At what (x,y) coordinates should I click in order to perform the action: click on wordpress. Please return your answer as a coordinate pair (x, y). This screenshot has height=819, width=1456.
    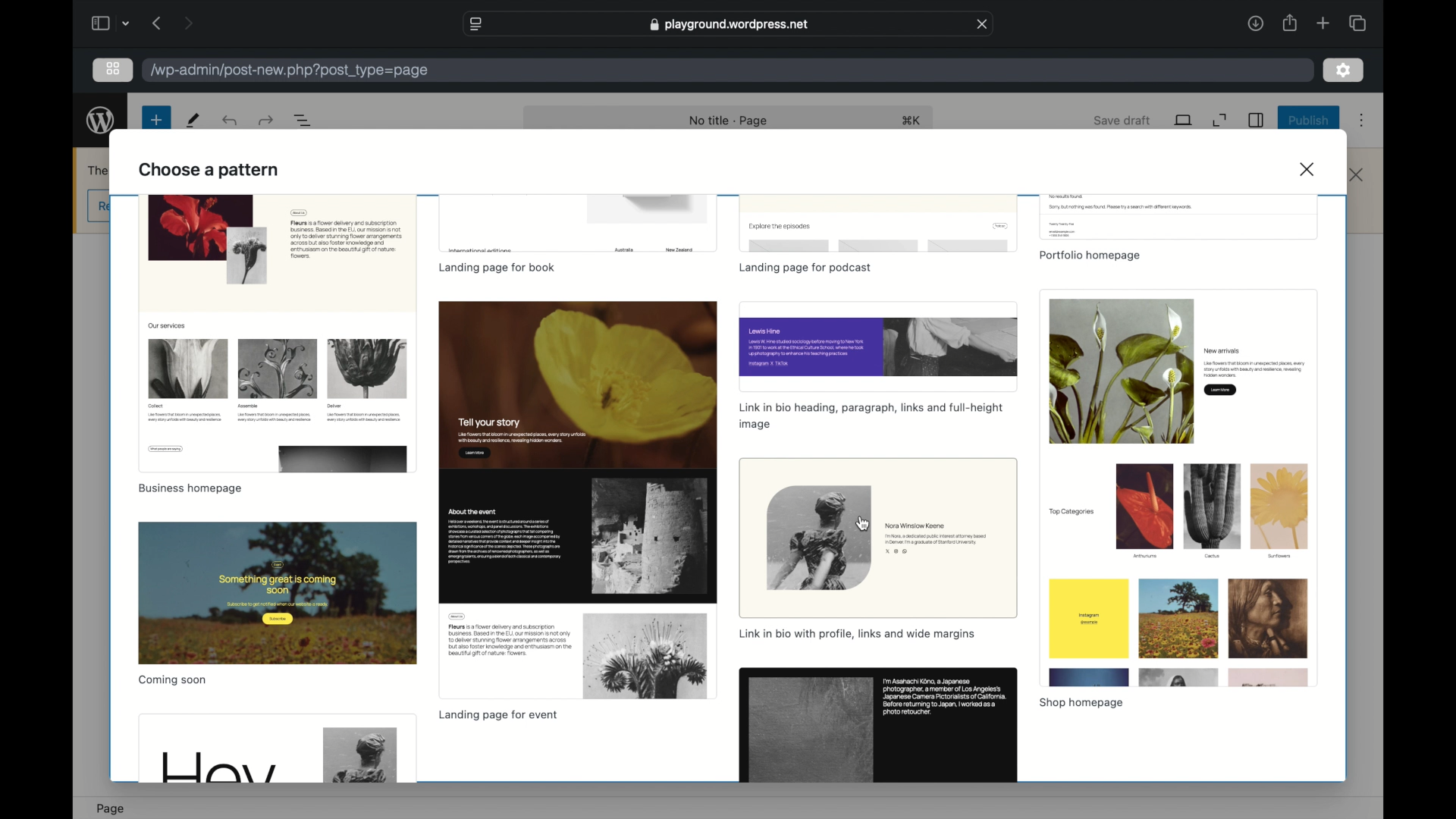
    Looking at the image, I should click on (101, 121).